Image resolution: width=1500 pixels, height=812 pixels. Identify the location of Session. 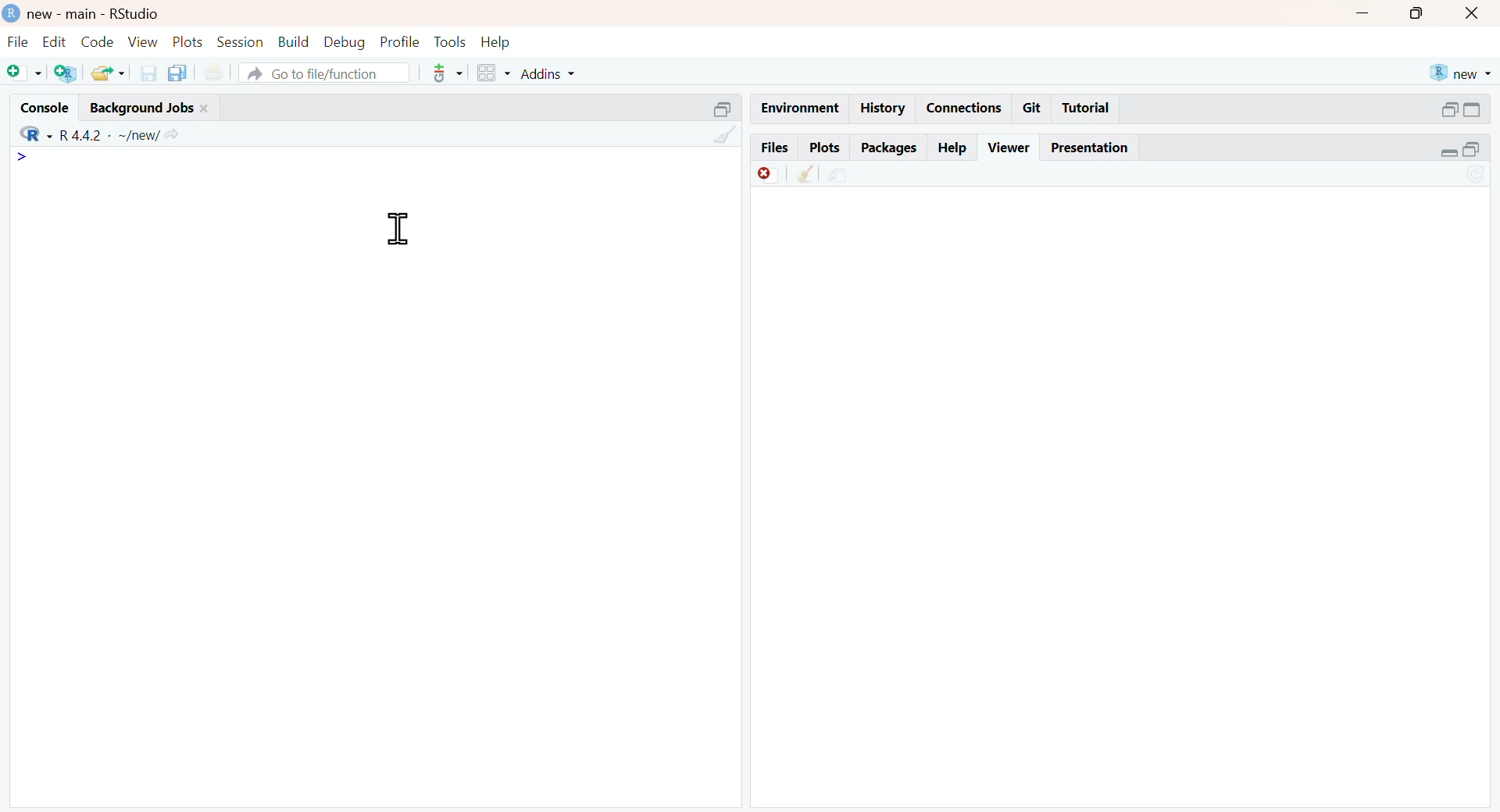
(240, 42).